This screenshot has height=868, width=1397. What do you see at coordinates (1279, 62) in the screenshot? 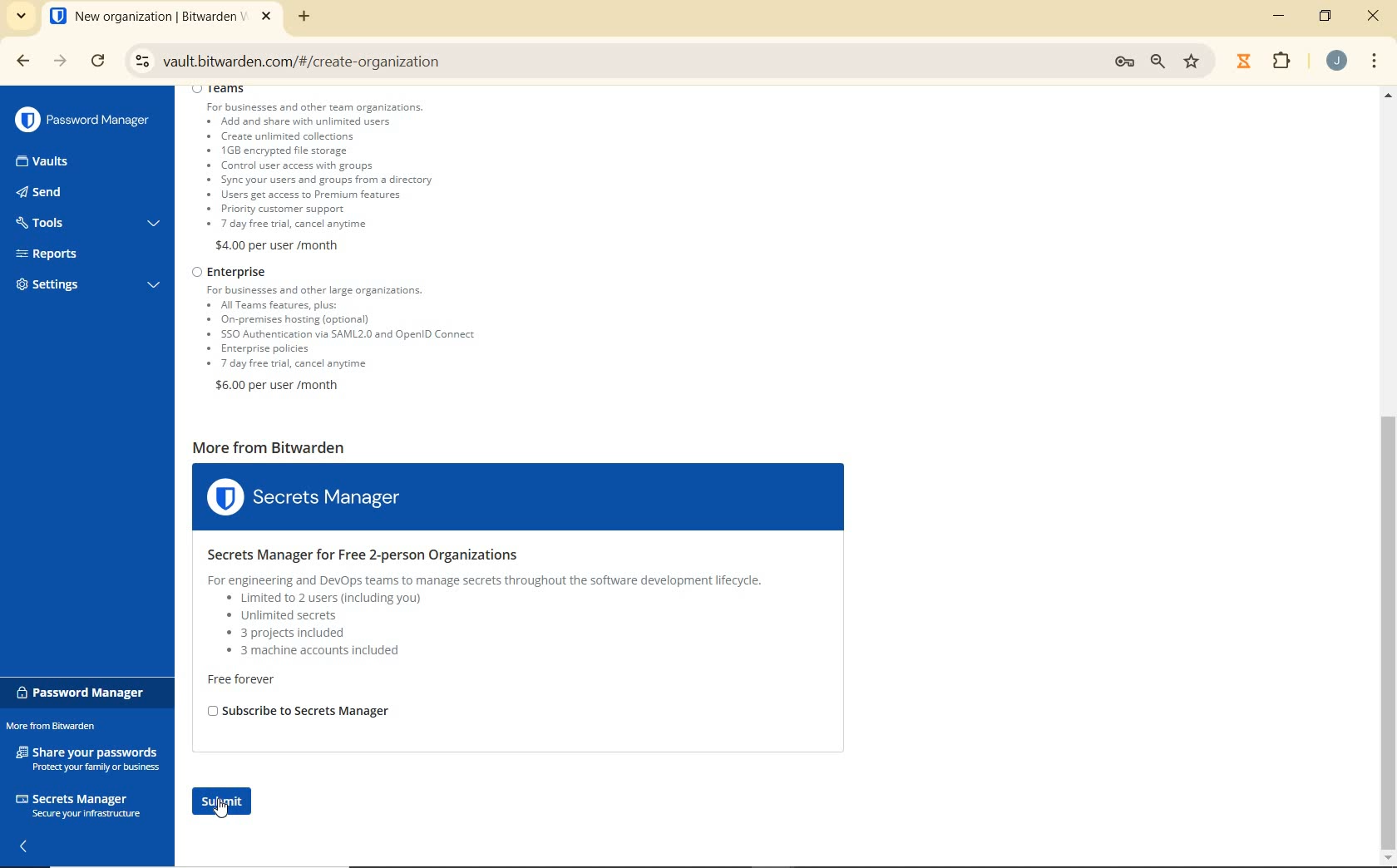
I see `extensions` at bounding box center [1279, 62].